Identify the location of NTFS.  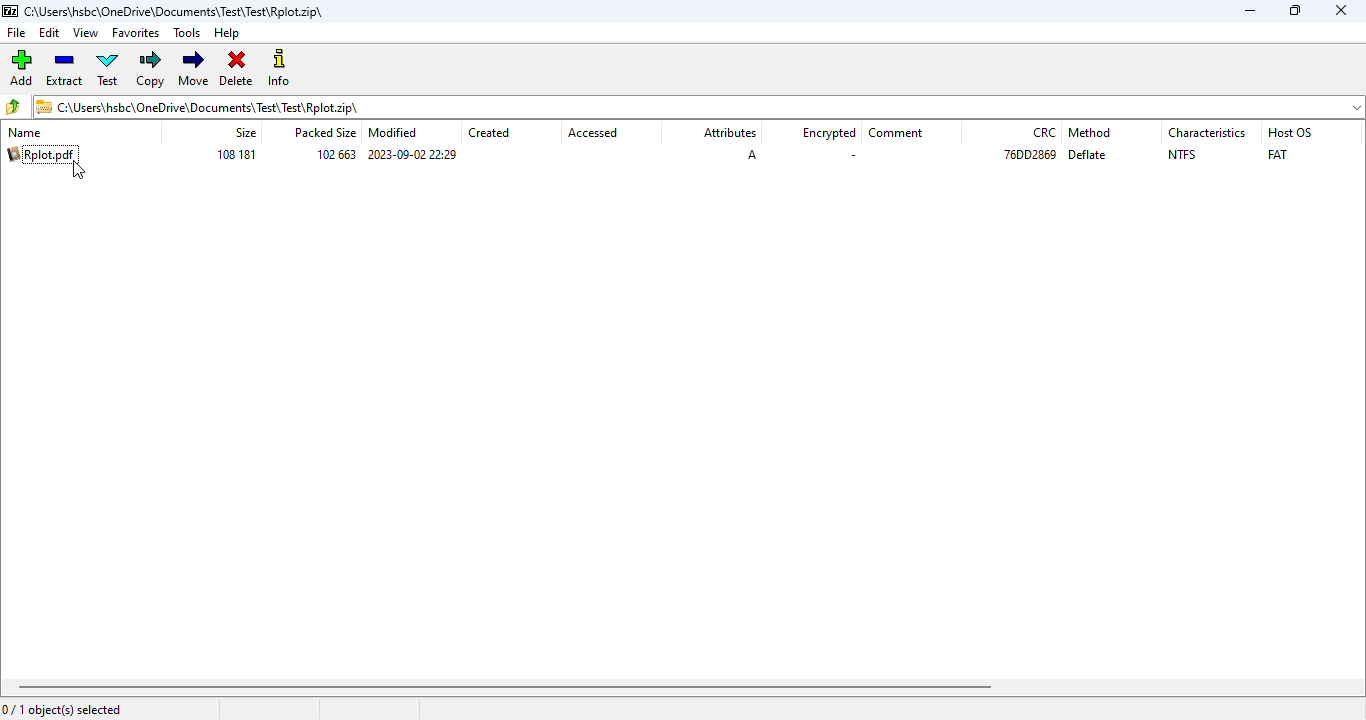
(1182, 155).